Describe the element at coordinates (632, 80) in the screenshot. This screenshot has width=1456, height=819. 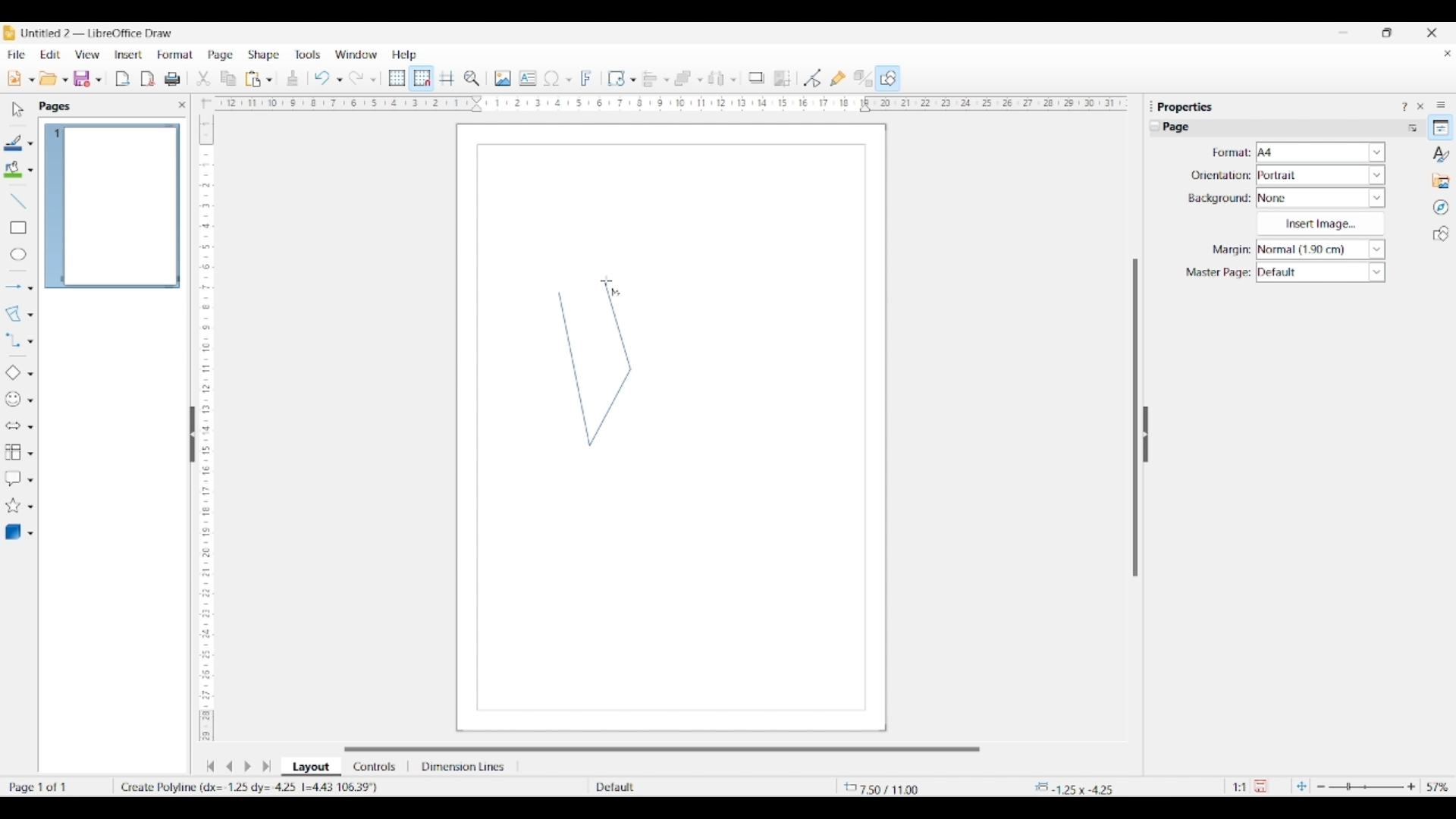
I see `Transformations option` at that location.